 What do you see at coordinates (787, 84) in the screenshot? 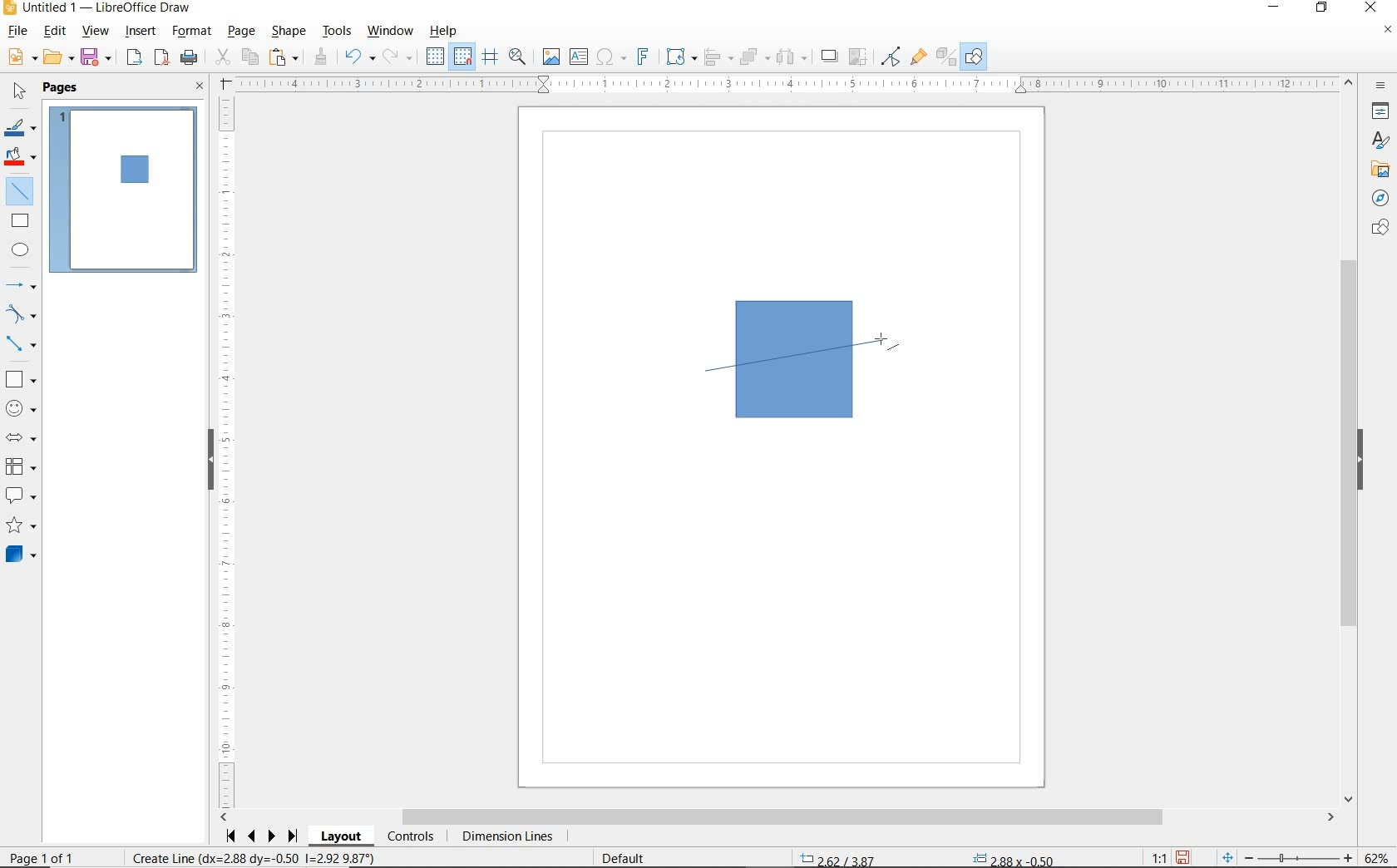
I see `RULER` at bounding box center [787, 84].